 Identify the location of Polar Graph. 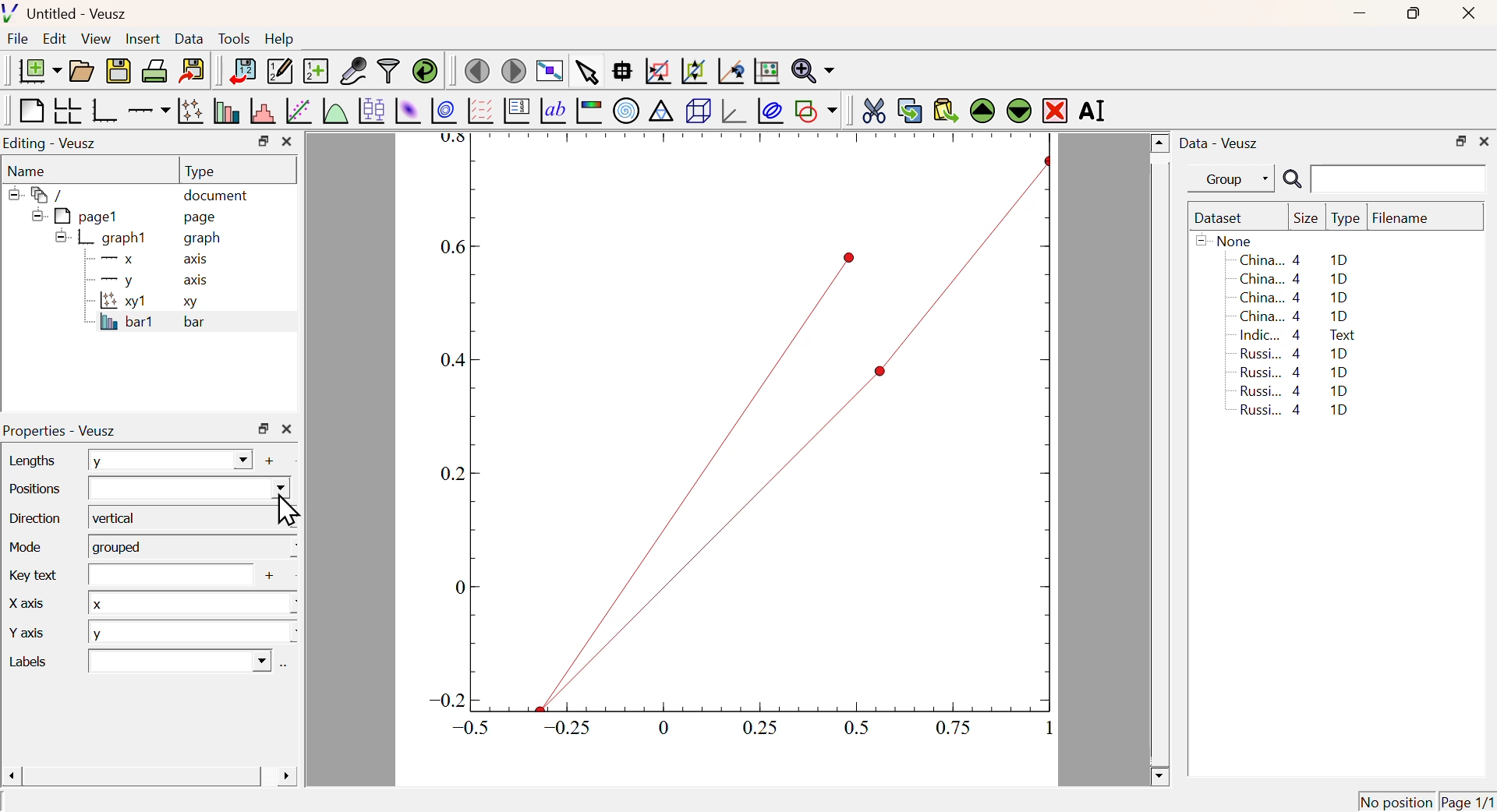
(627, 110).